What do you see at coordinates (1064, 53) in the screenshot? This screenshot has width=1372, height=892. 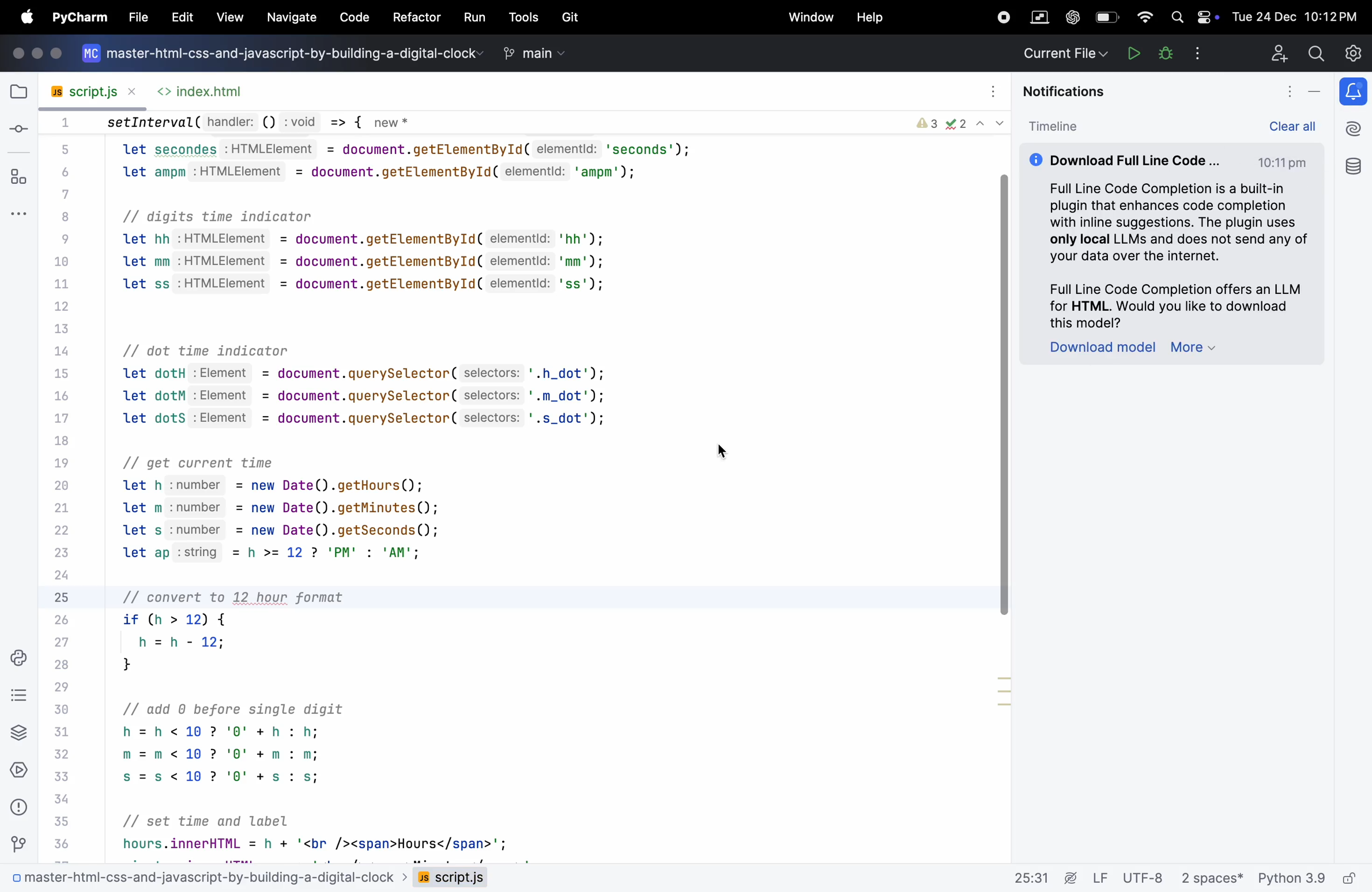 I see `current file` at bounding box center [1064, 53].